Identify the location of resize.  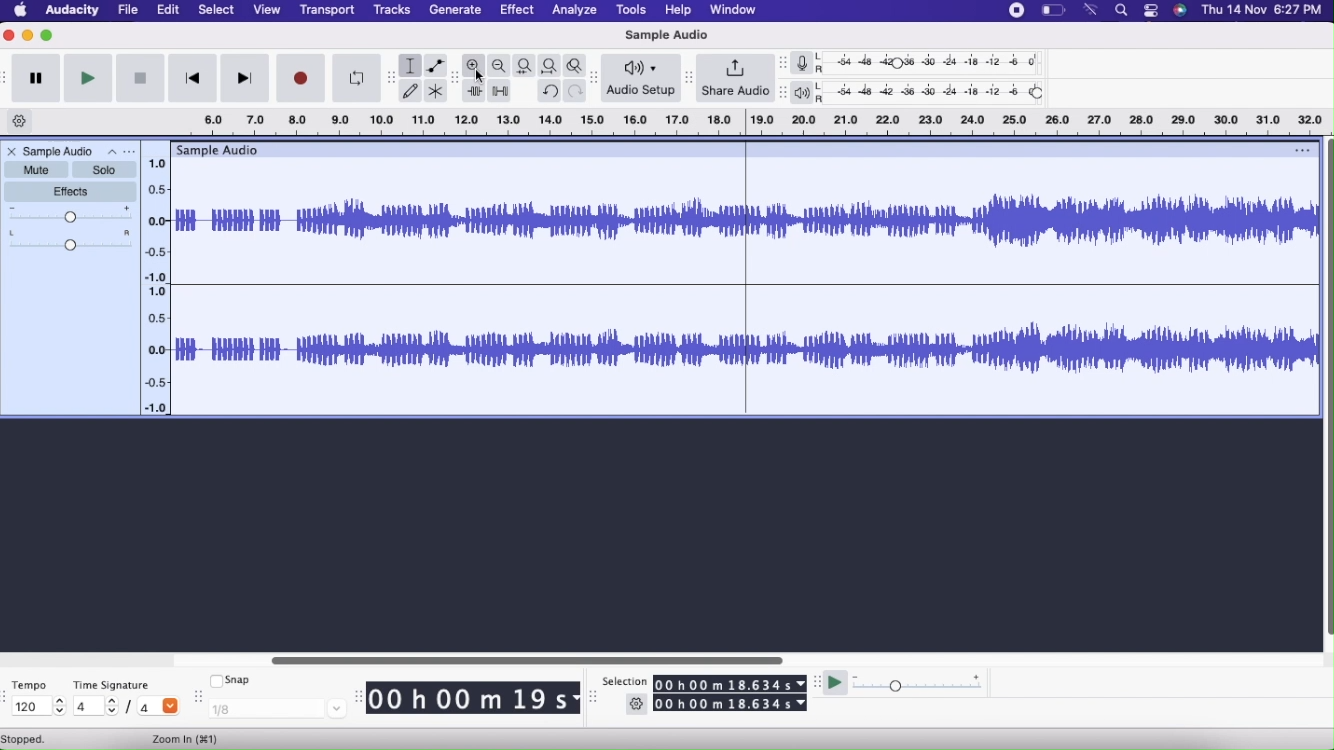
(593, 700).